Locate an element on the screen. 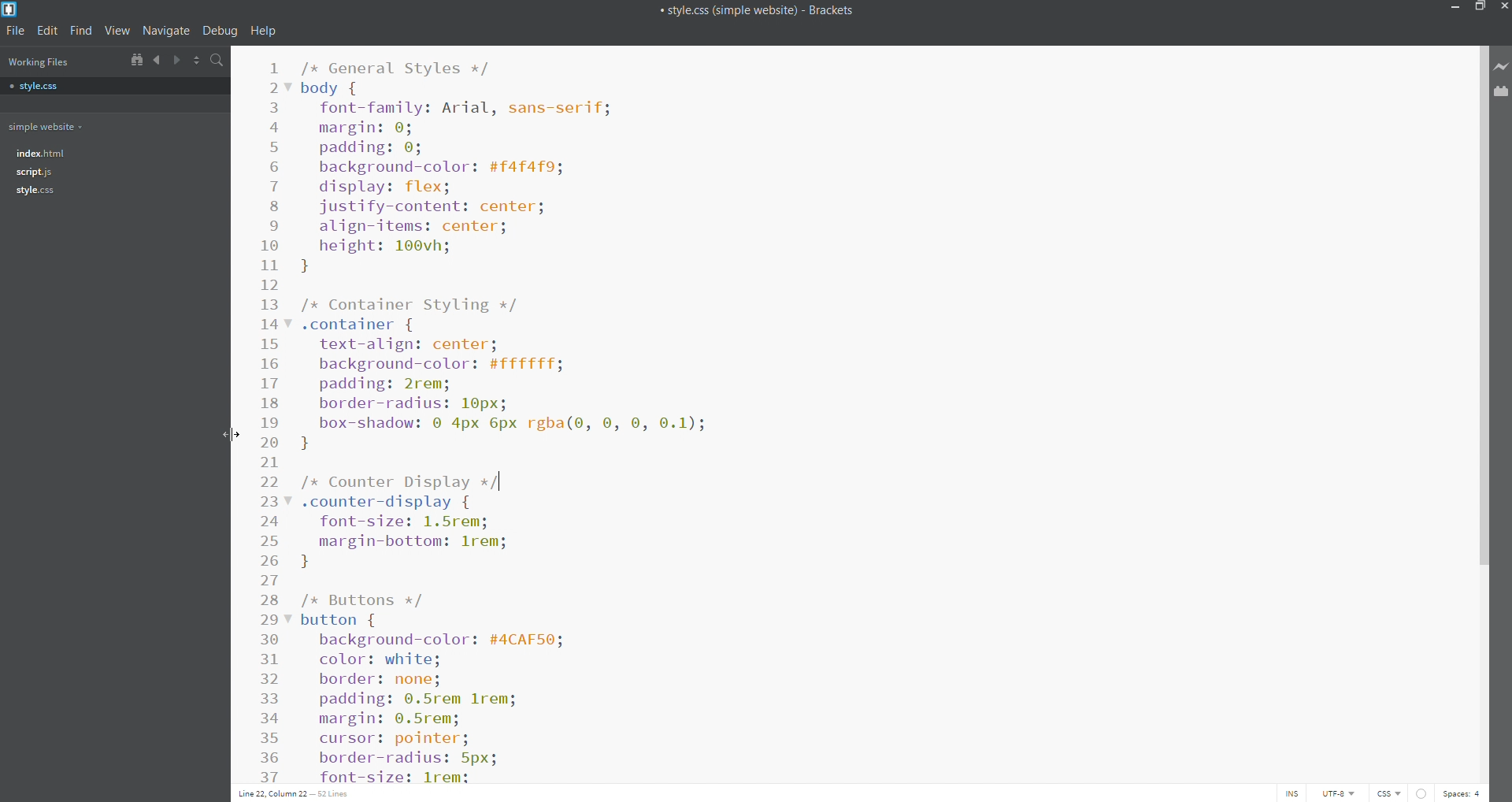 The image size is (1512, 802). brackets is located at coordinates (12, 9).